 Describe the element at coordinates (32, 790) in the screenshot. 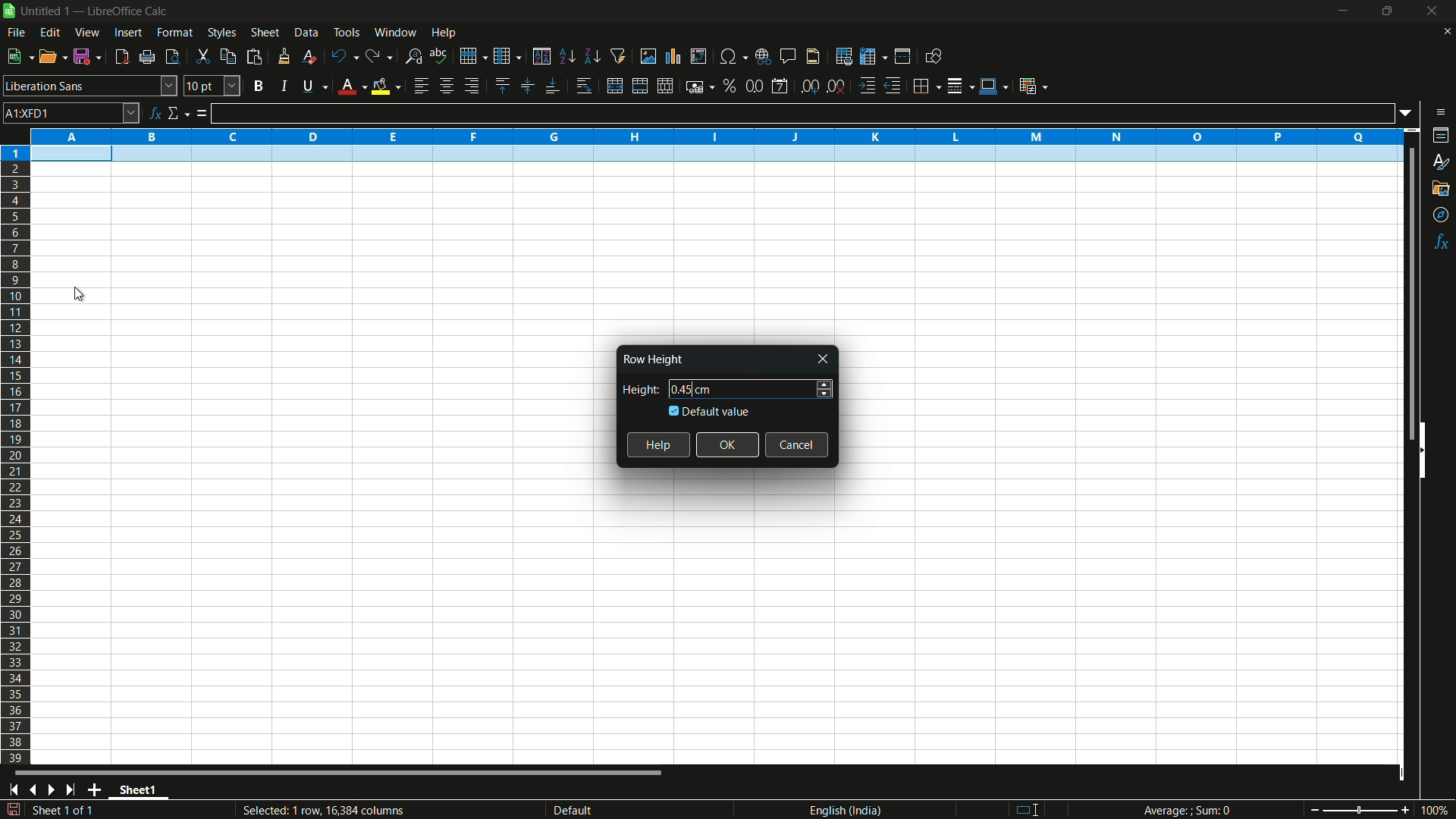

I see `previous sheet` at that location.